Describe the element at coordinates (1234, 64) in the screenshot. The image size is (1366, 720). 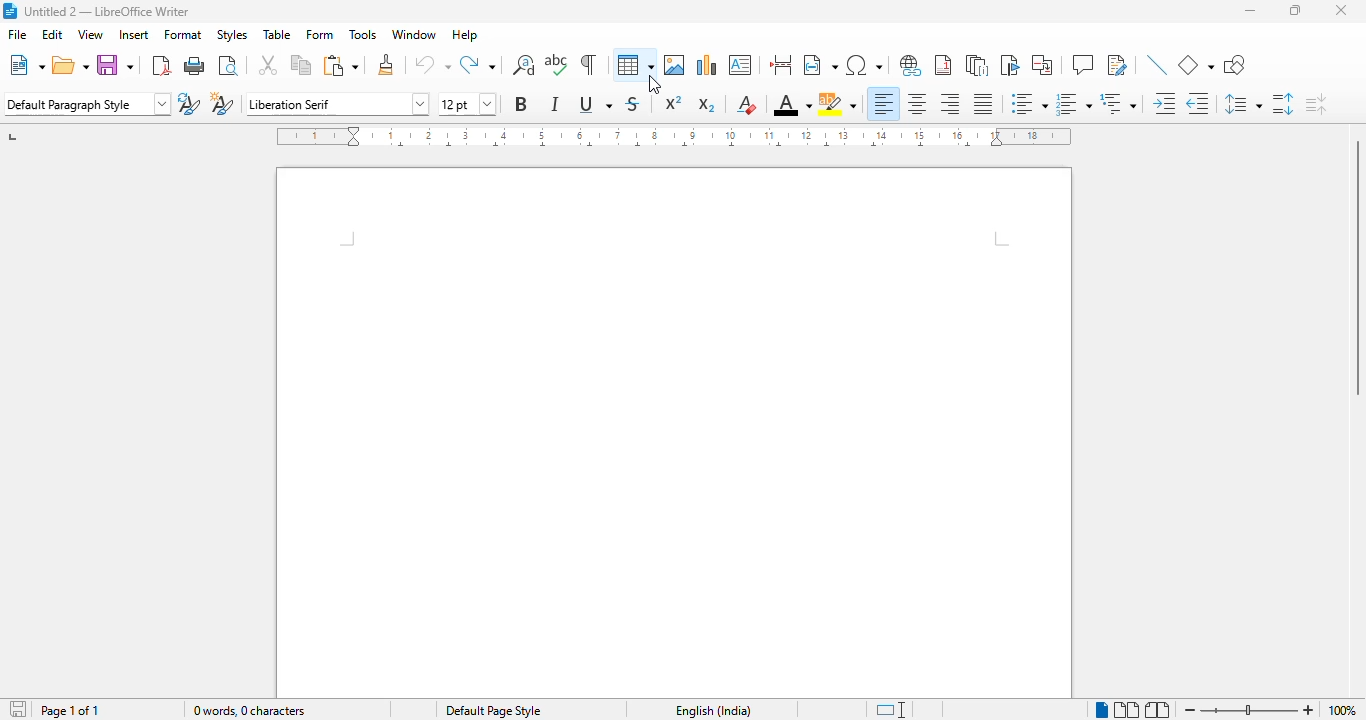
I see `show draw functions` at that location.